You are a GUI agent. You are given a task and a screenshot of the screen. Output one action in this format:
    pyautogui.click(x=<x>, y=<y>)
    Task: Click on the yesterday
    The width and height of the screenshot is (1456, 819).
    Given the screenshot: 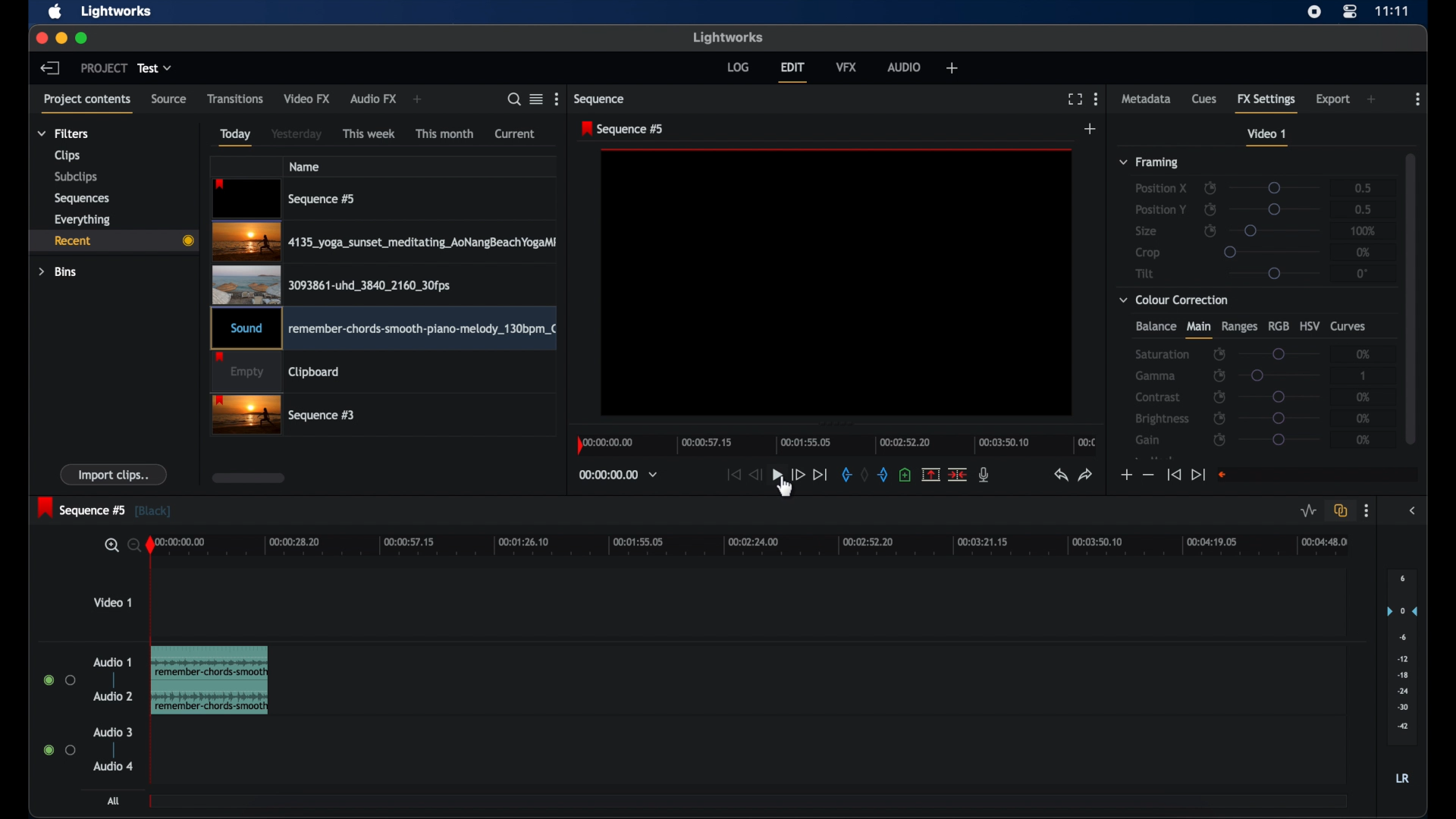 What is the action you would take?
    pyautogui.click(x=297, y=133)
    